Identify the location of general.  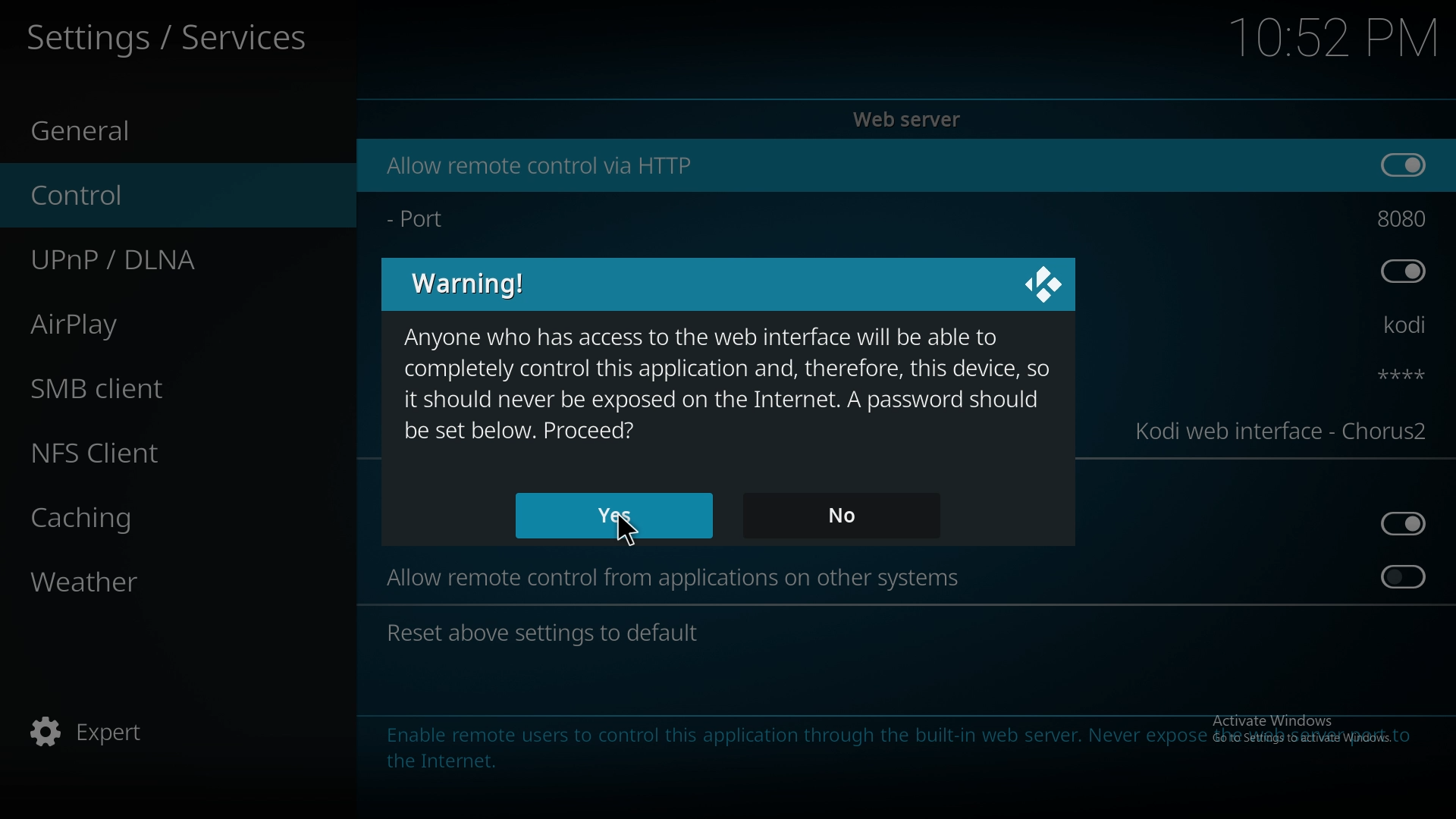
(160, 132).